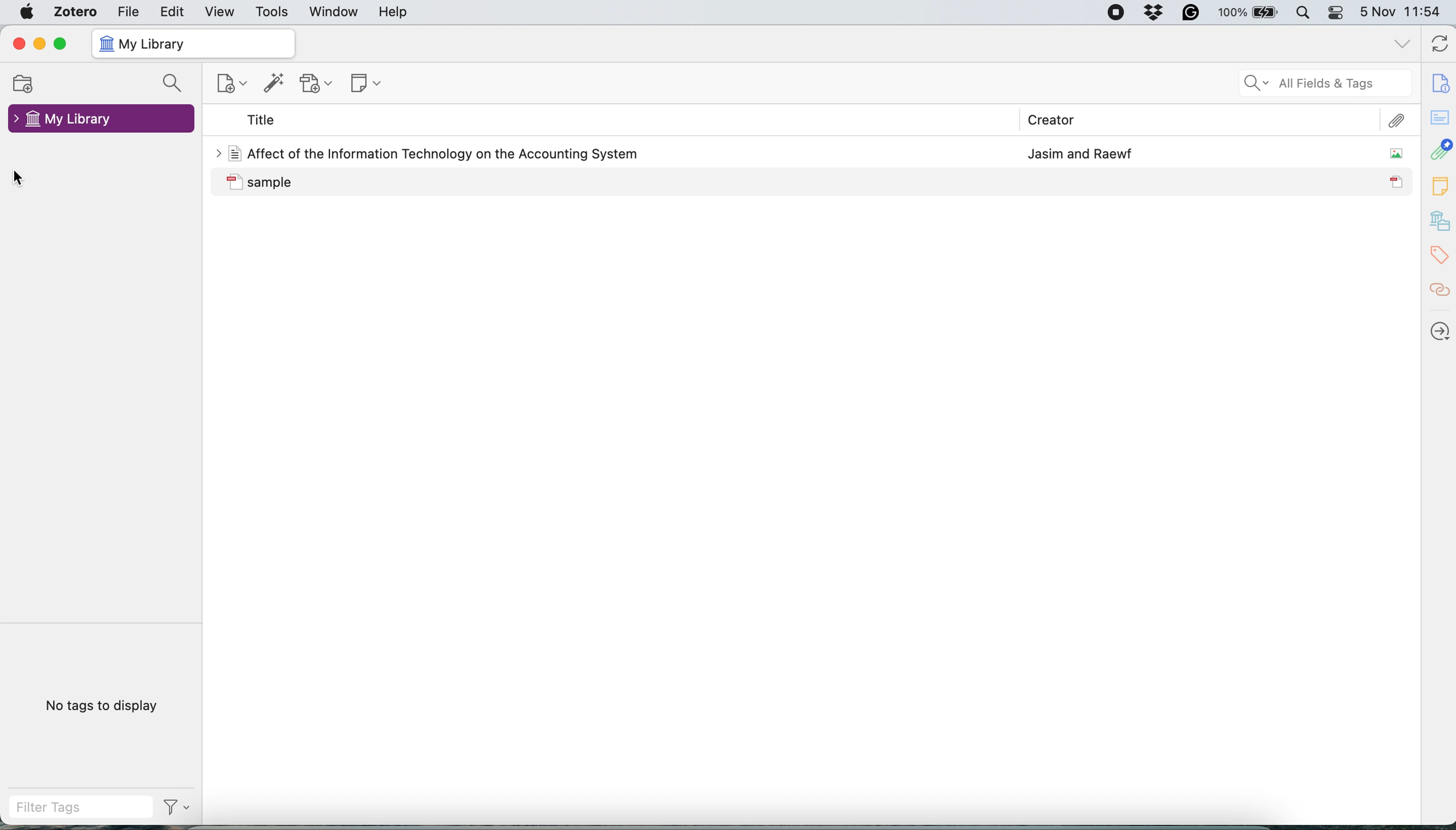 The width and height of the screenshot is (1456, 830). I want to click on creator, so click(1056, 119).